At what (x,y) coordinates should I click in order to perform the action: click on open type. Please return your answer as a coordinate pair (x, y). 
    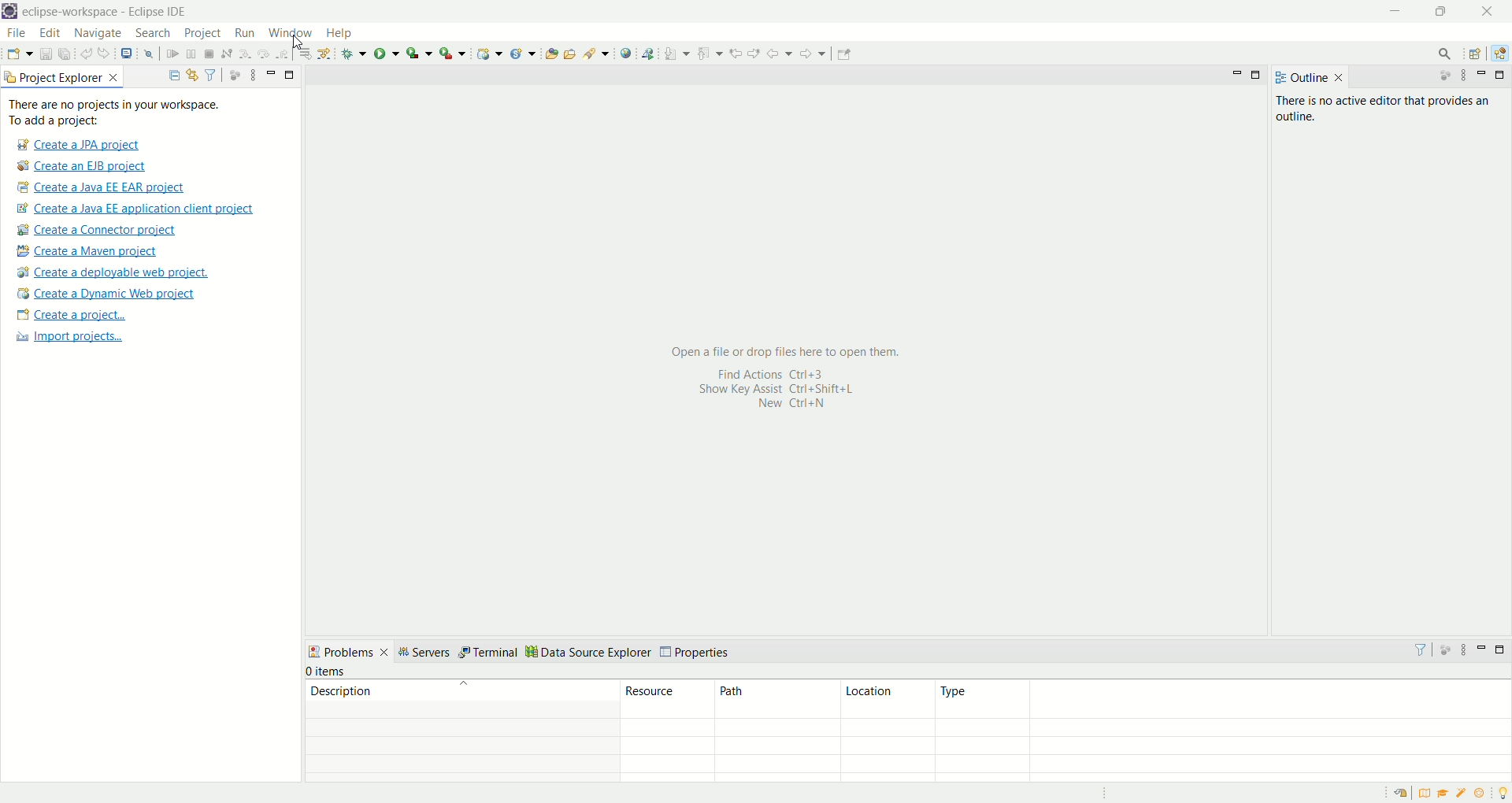
    Looking at the image, I should click on (550, 53).